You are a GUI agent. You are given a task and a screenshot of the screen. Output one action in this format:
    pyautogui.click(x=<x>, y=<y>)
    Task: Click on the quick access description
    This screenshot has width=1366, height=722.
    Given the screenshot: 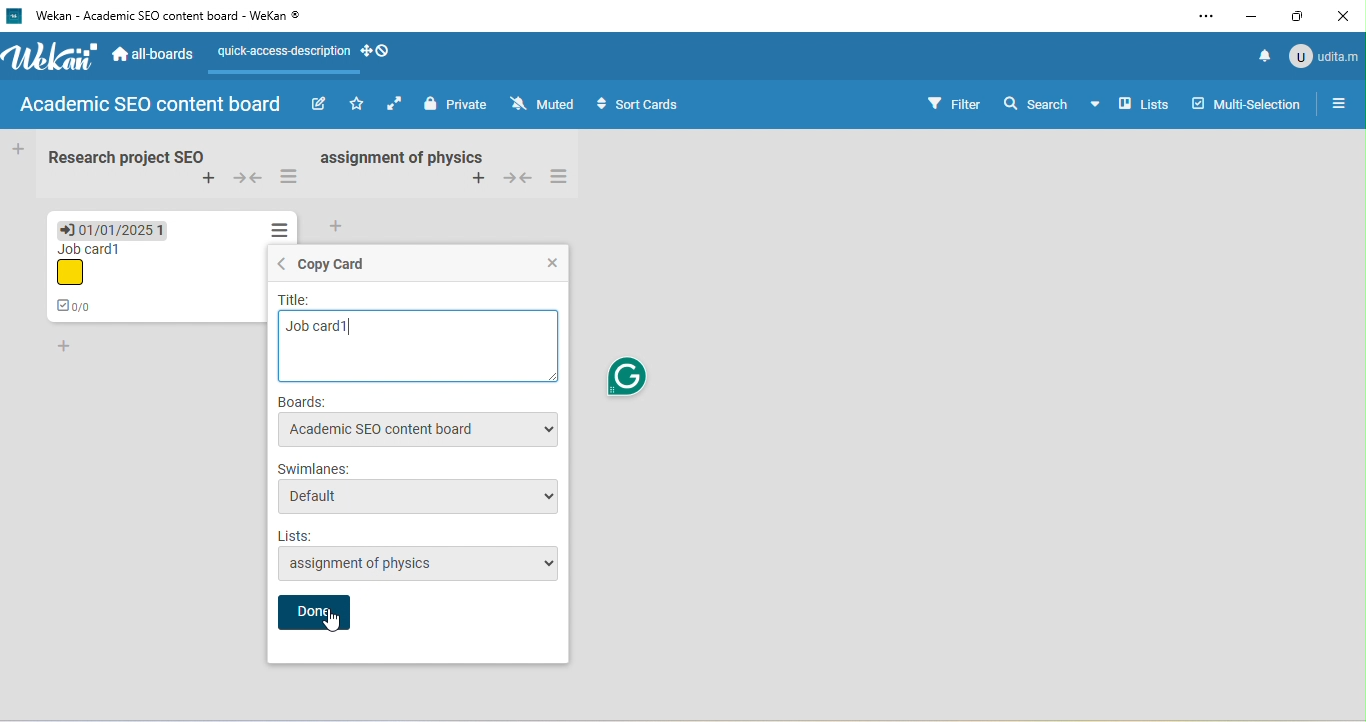 What is the action you would take?
    pyautogui.click(x=280, y=58)
    